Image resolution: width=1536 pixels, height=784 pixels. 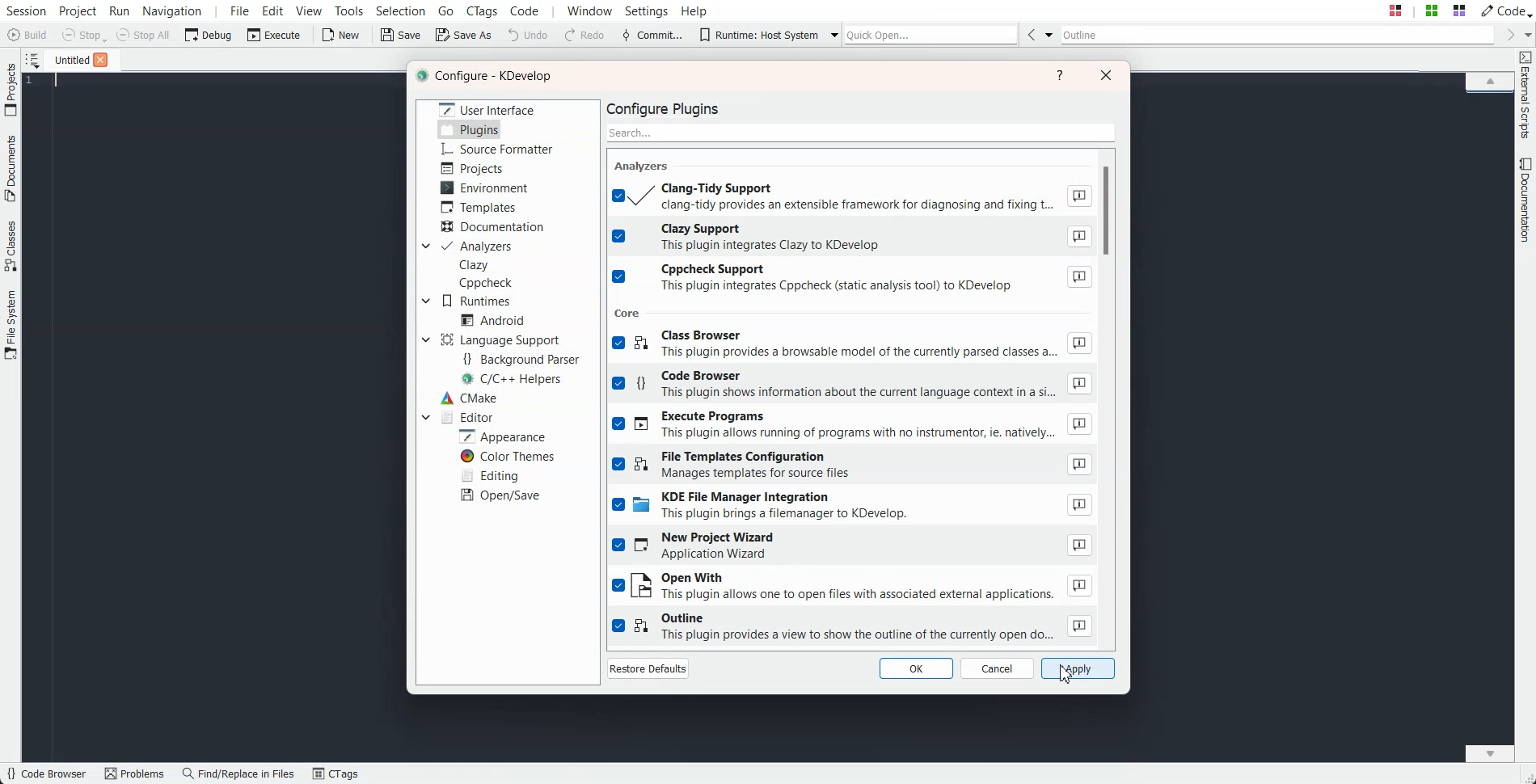 What do you see at coordinates (118, 11) in the screenshot?
I see `Run` at bounding box center [118, 11].